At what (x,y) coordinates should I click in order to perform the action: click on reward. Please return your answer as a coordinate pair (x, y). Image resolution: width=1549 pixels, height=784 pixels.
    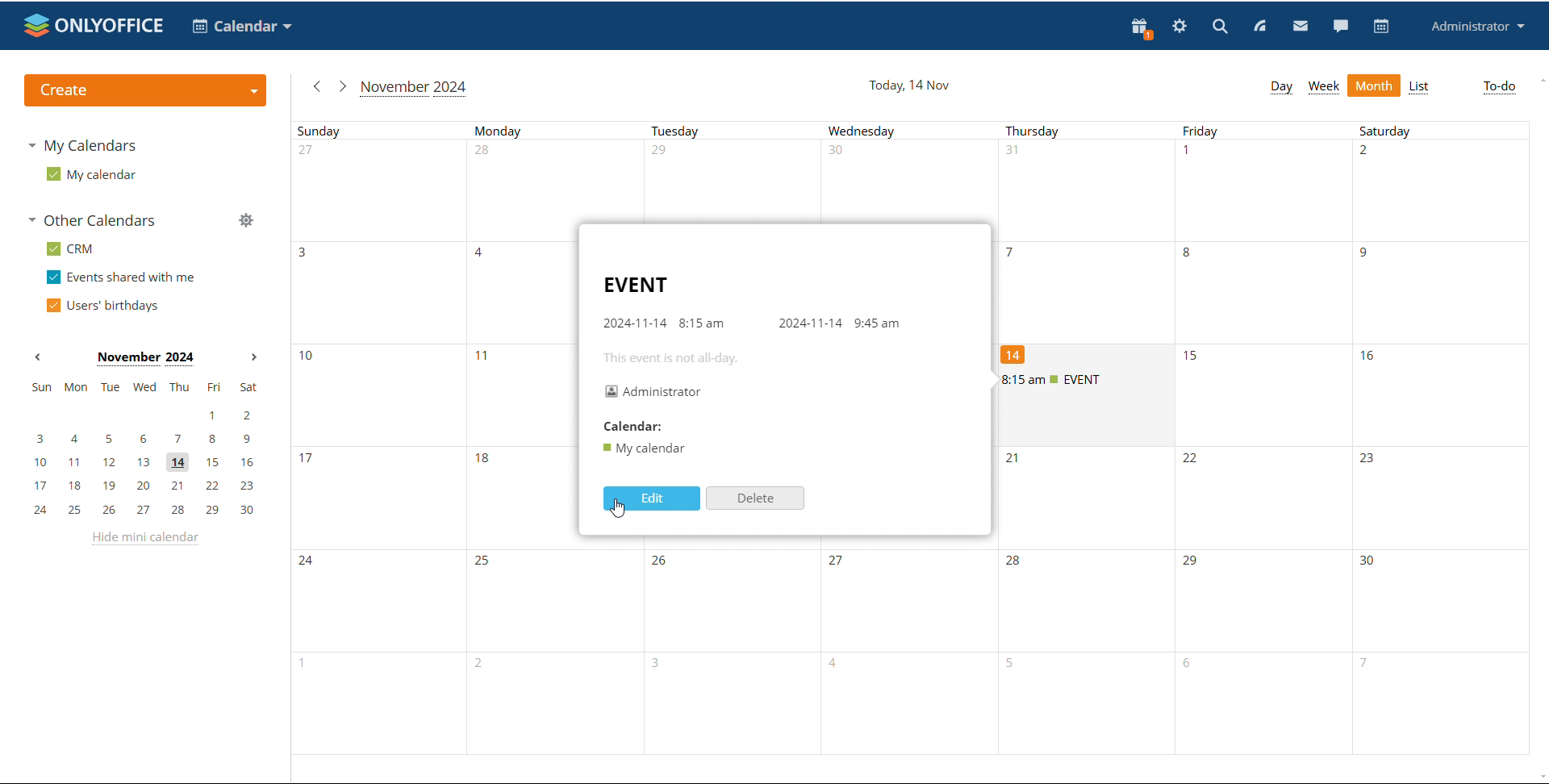
    Looking at the image, I should click on (1142, 28).